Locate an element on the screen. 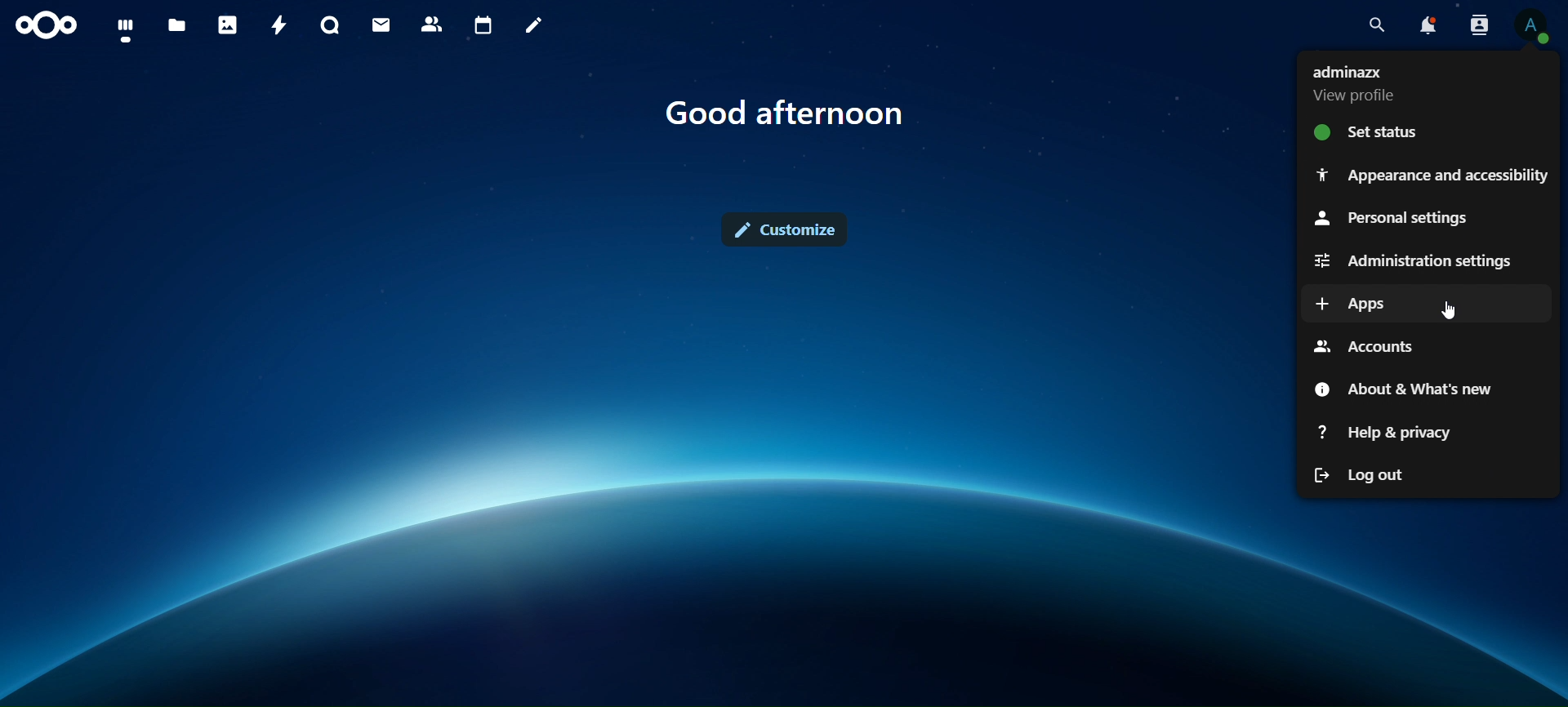 The image size is (1568, 707). logout is located at coordinates (1365, 472).